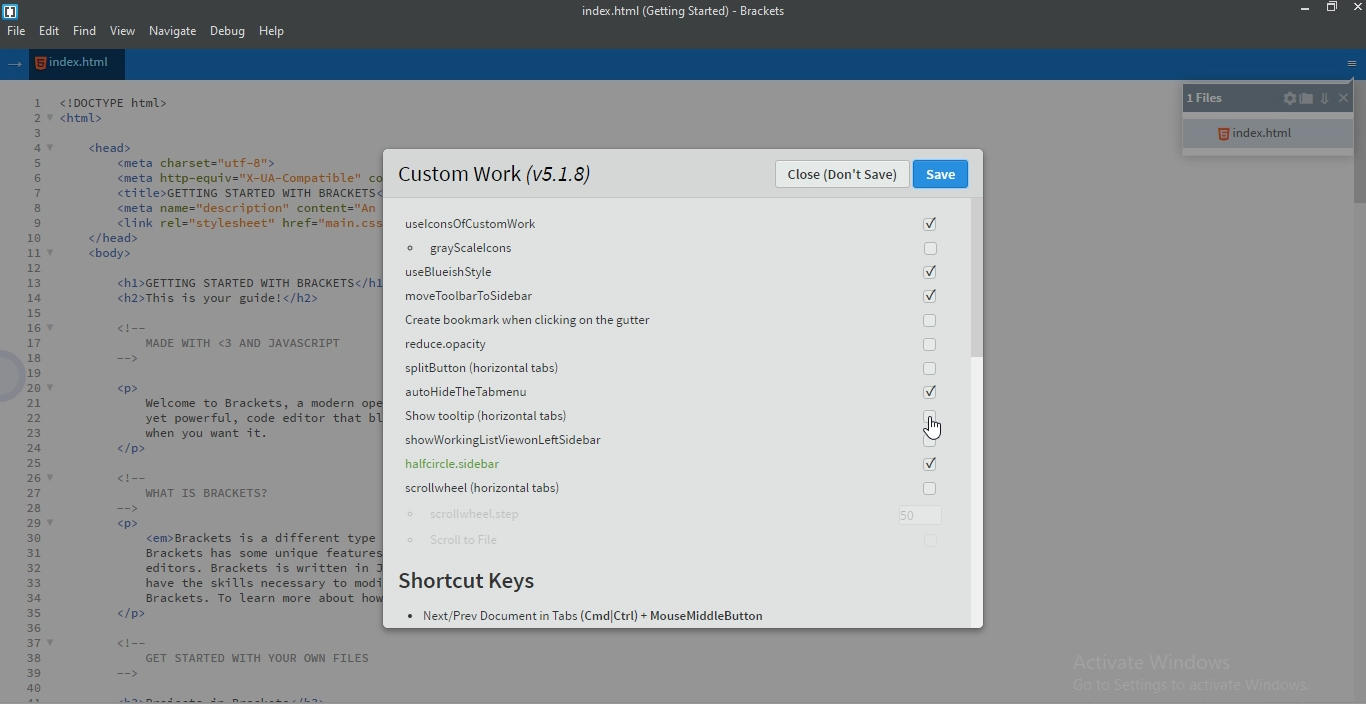 The width and height of the screenshot is (1366, 704). What do you see at coordinates (83, 31) in the screenshot?
I see `find` at bounding box center [83, 31].